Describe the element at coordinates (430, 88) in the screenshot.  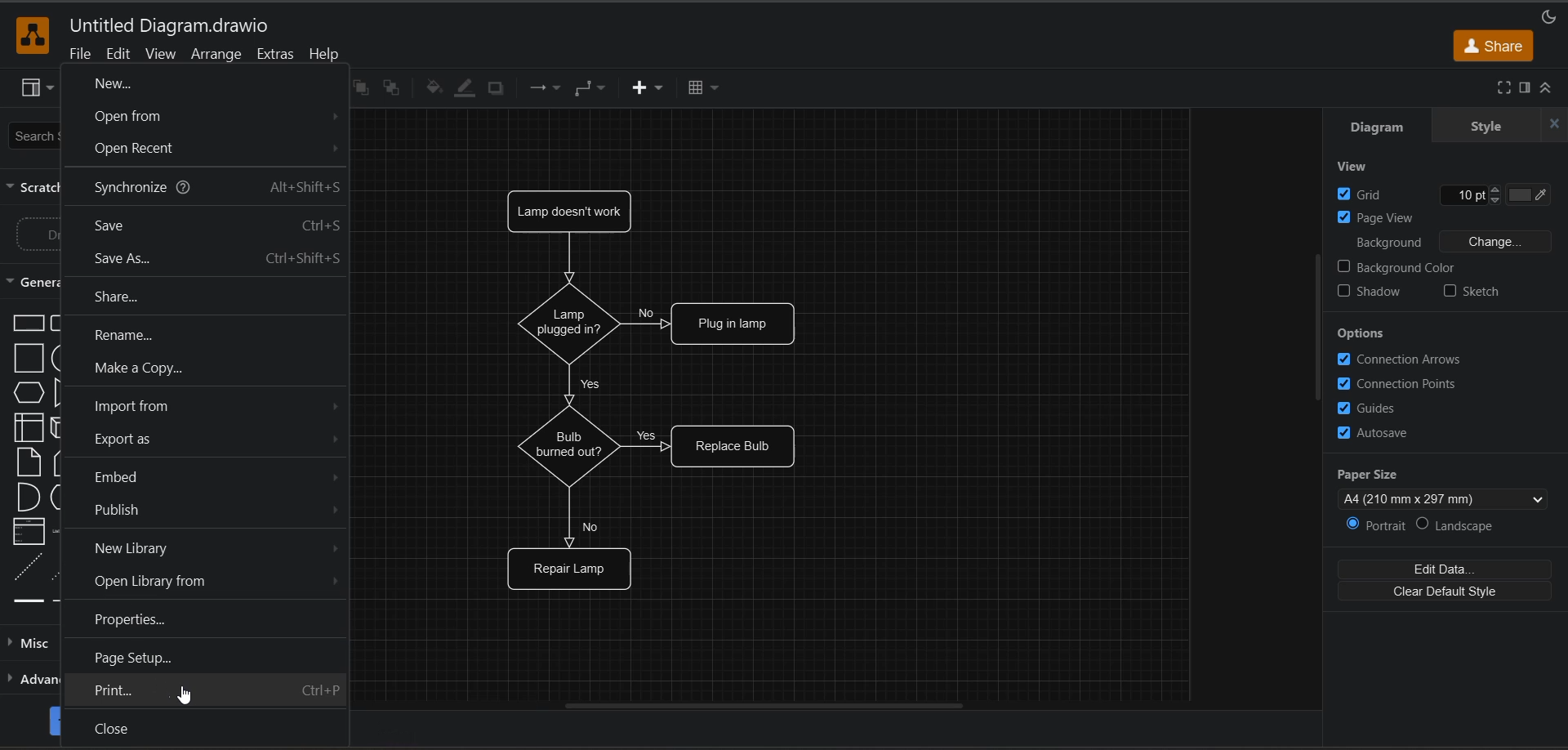
I see `fill color` at that location.